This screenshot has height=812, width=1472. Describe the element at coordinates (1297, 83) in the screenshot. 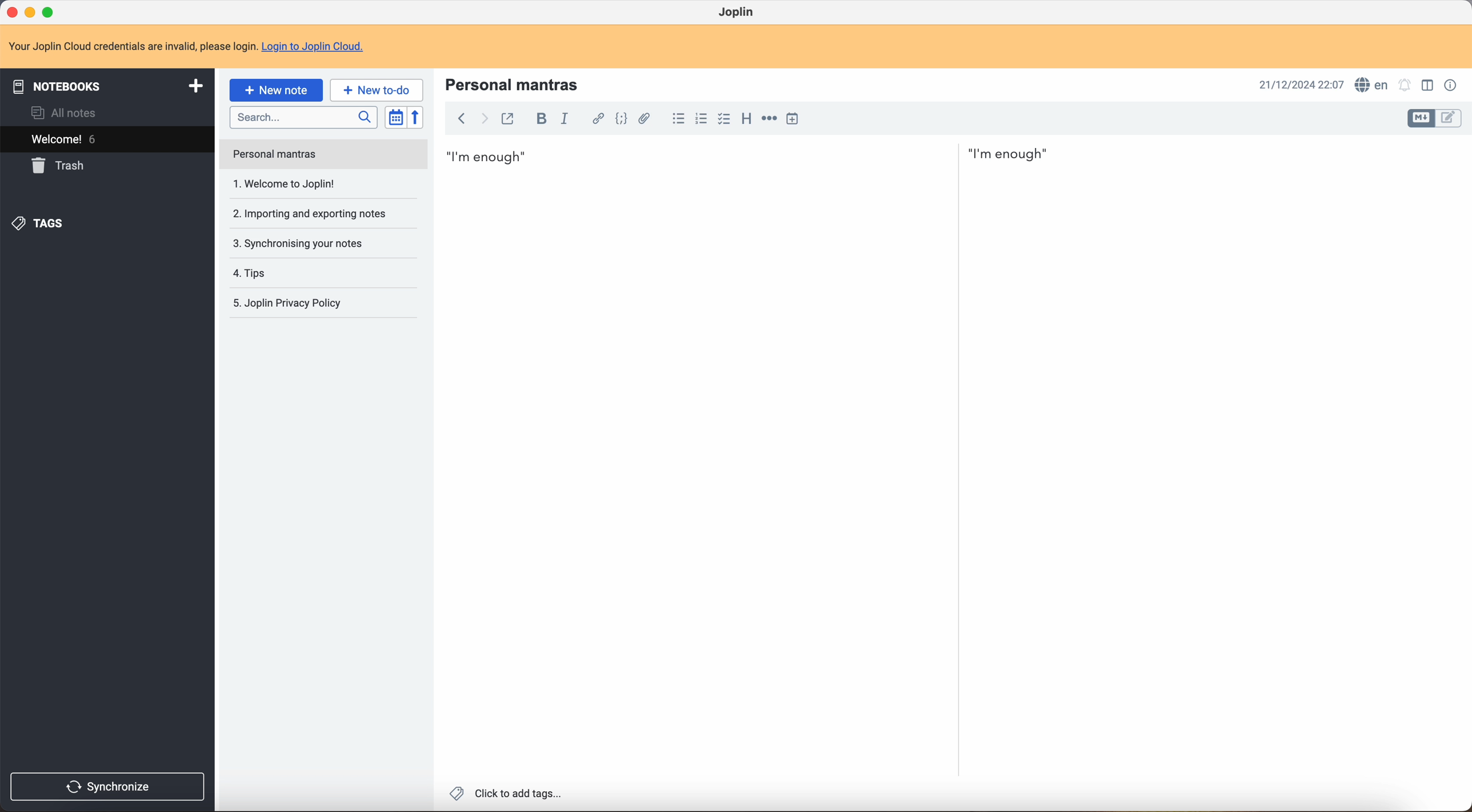

I see `date and hour` at that location.